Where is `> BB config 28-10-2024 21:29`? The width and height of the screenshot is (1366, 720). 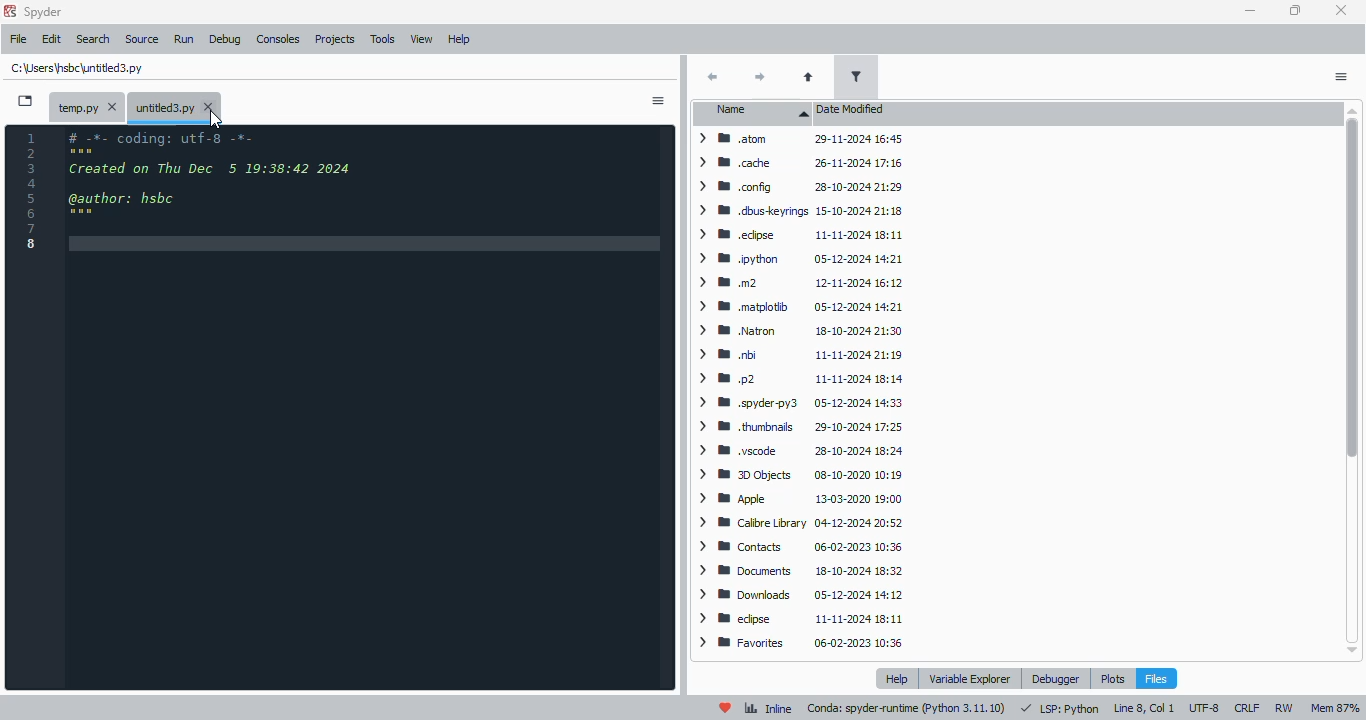 > BB config 28-10-2024 21:29 is located at coordinates (796, 188).